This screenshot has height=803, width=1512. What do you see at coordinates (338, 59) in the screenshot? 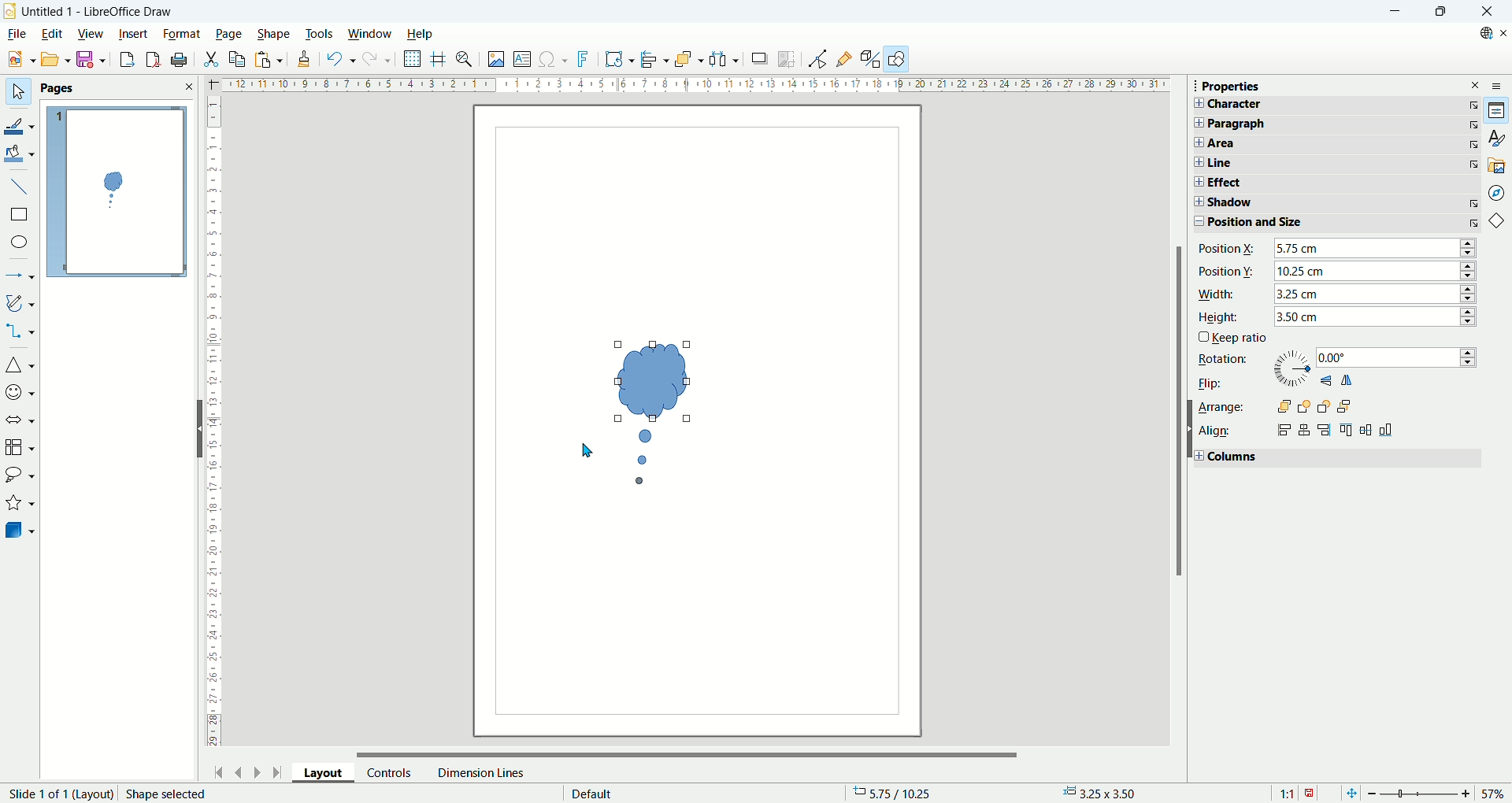
I see `undo` at bounding box center [338, 59].